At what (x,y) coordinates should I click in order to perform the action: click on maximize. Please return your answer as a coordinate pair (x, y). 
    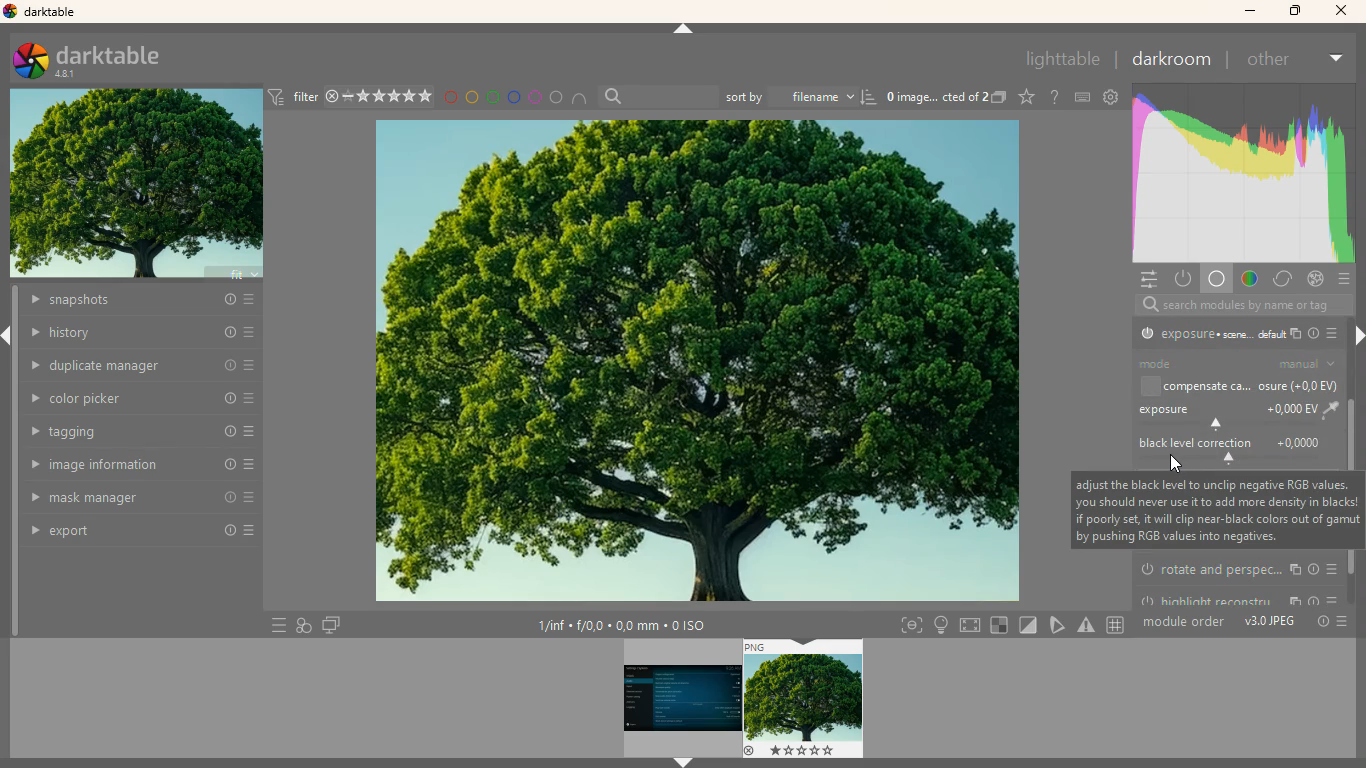
    Looking at the image, I should click on (1294, 13).